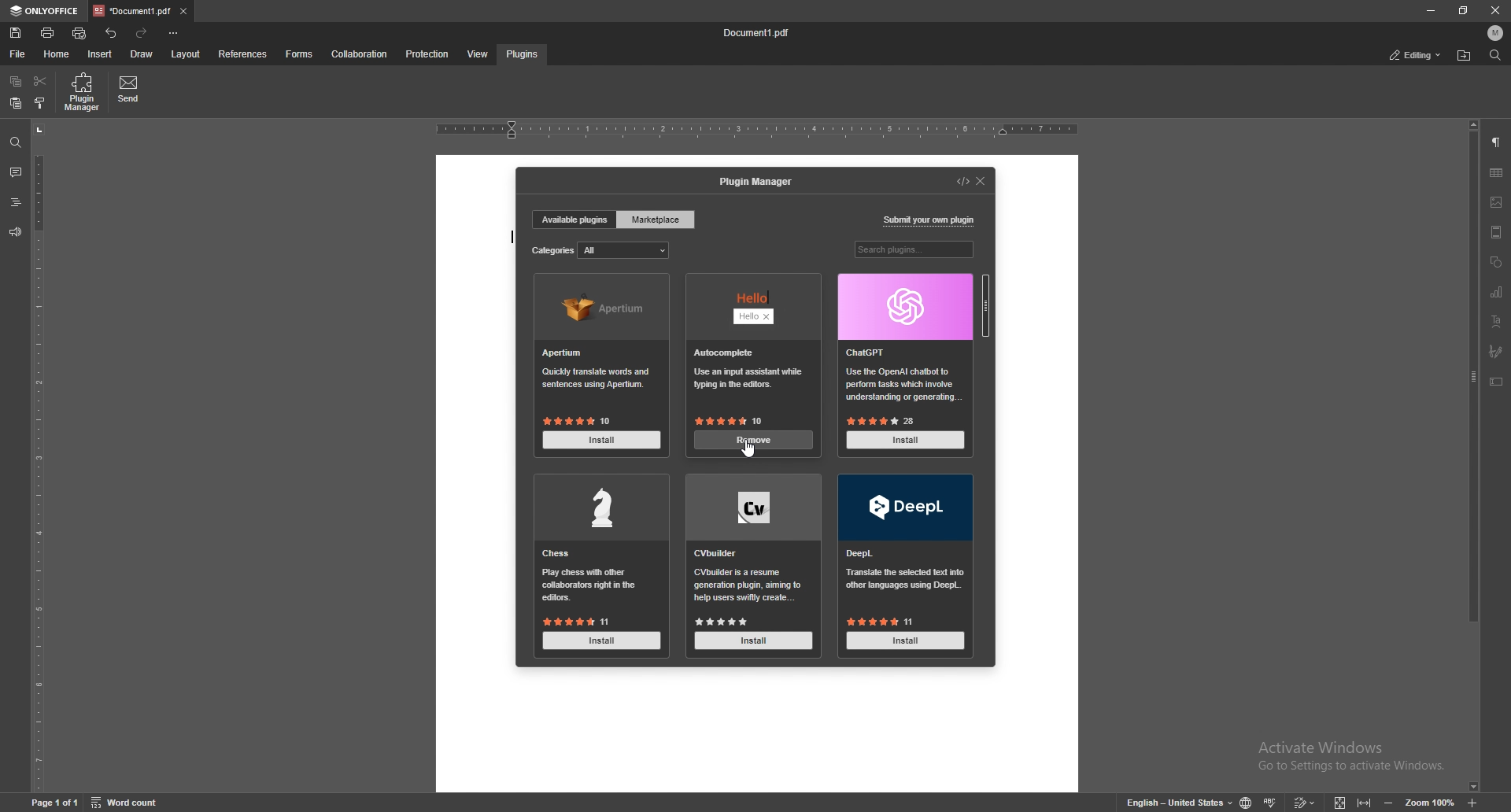  I want to click on install, so click(755, 640).